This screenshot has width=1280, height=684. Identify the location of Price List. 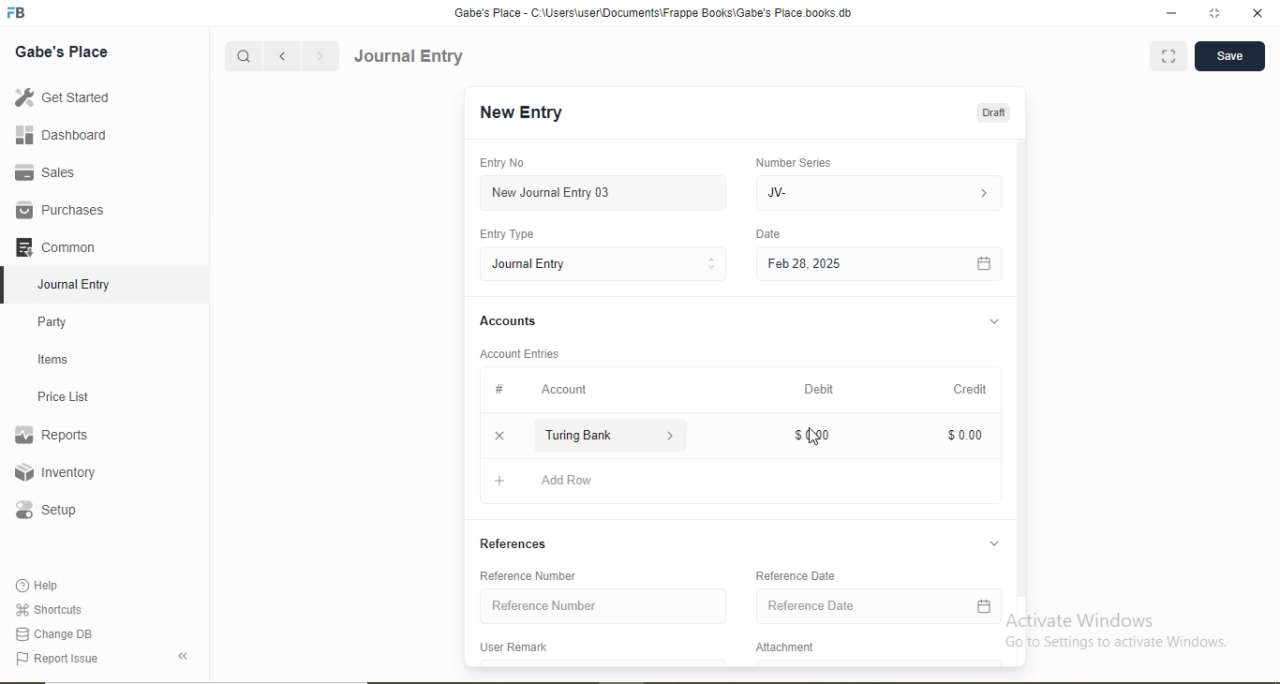
(62, 397).